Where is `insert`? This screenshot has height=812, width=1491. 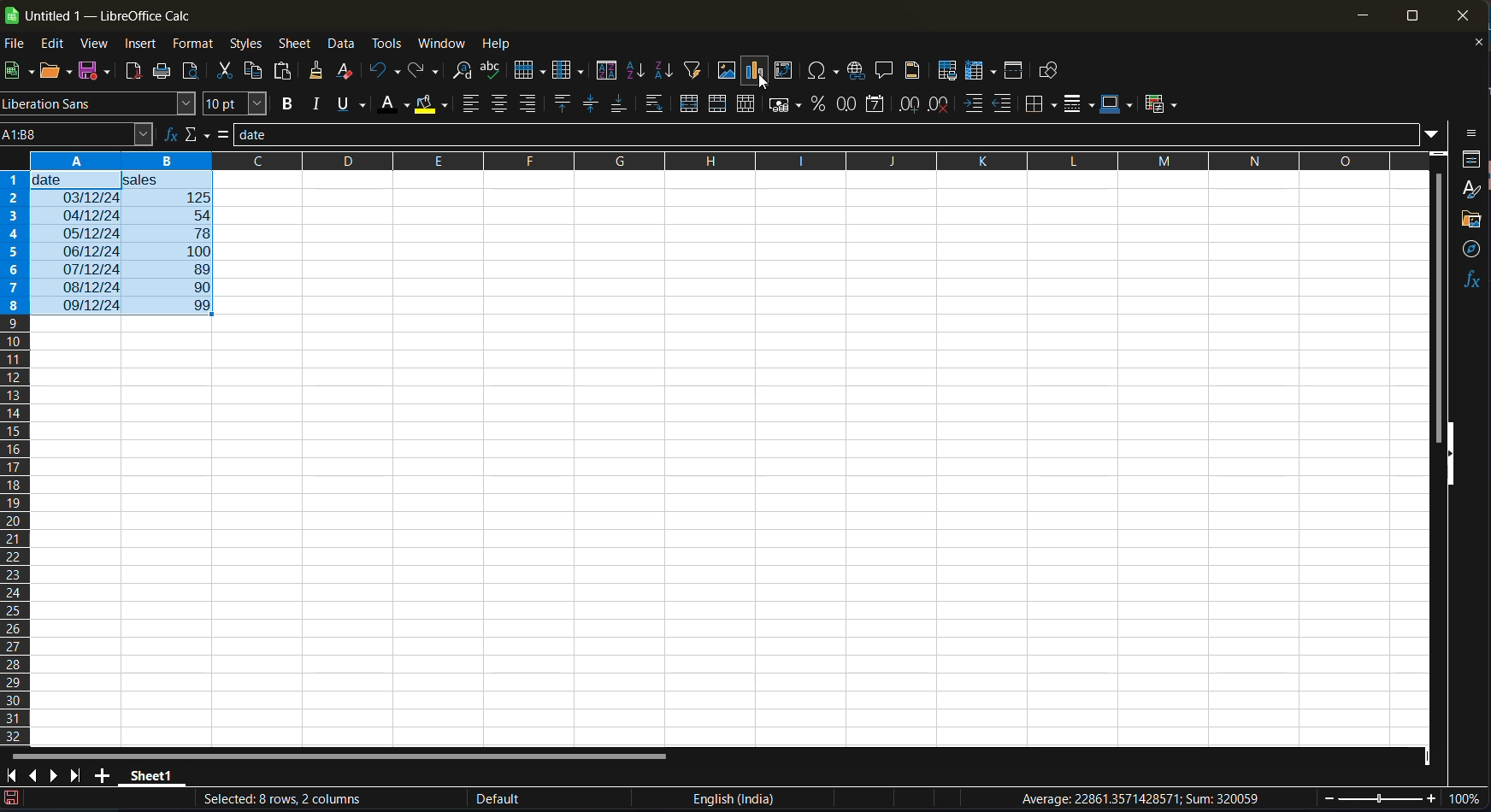
insert is located at coordinates (144, 46).